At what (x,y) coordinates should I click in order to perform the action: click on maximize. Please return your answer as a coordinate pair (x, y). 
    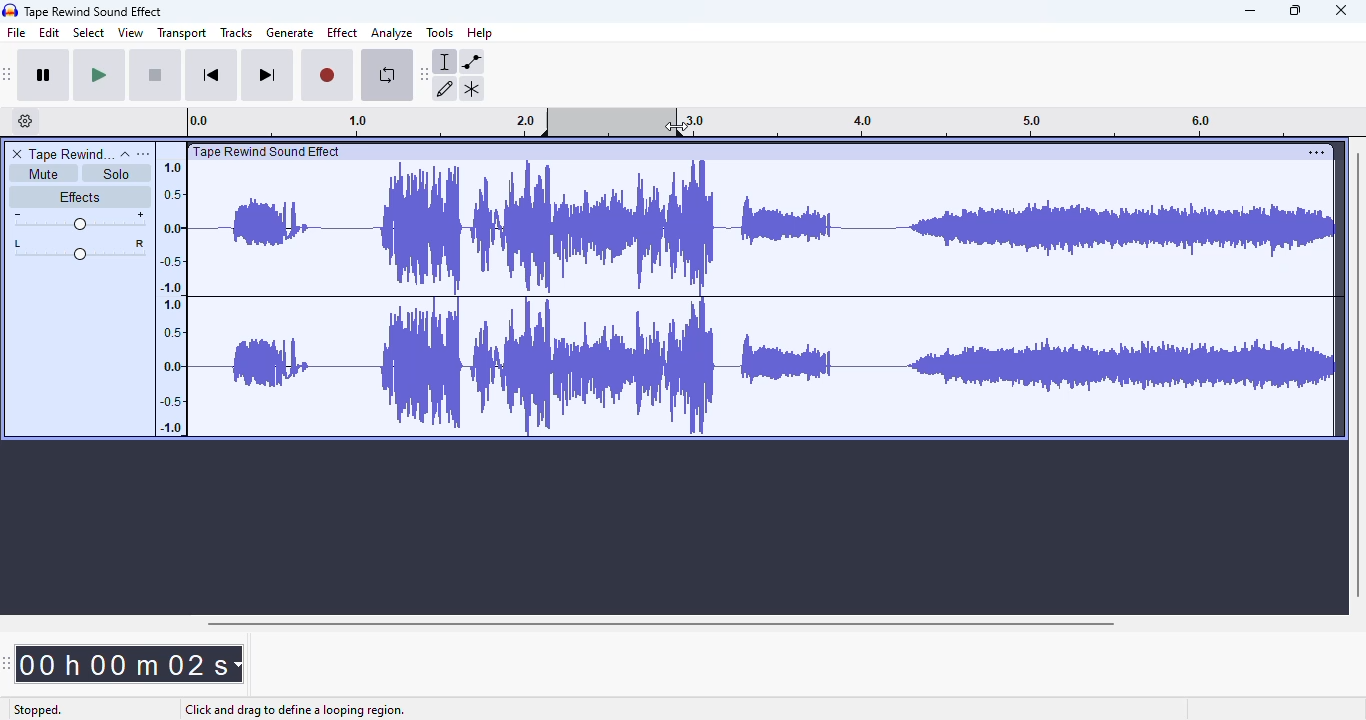
    Looking at the image, I should click on (1297, 10).